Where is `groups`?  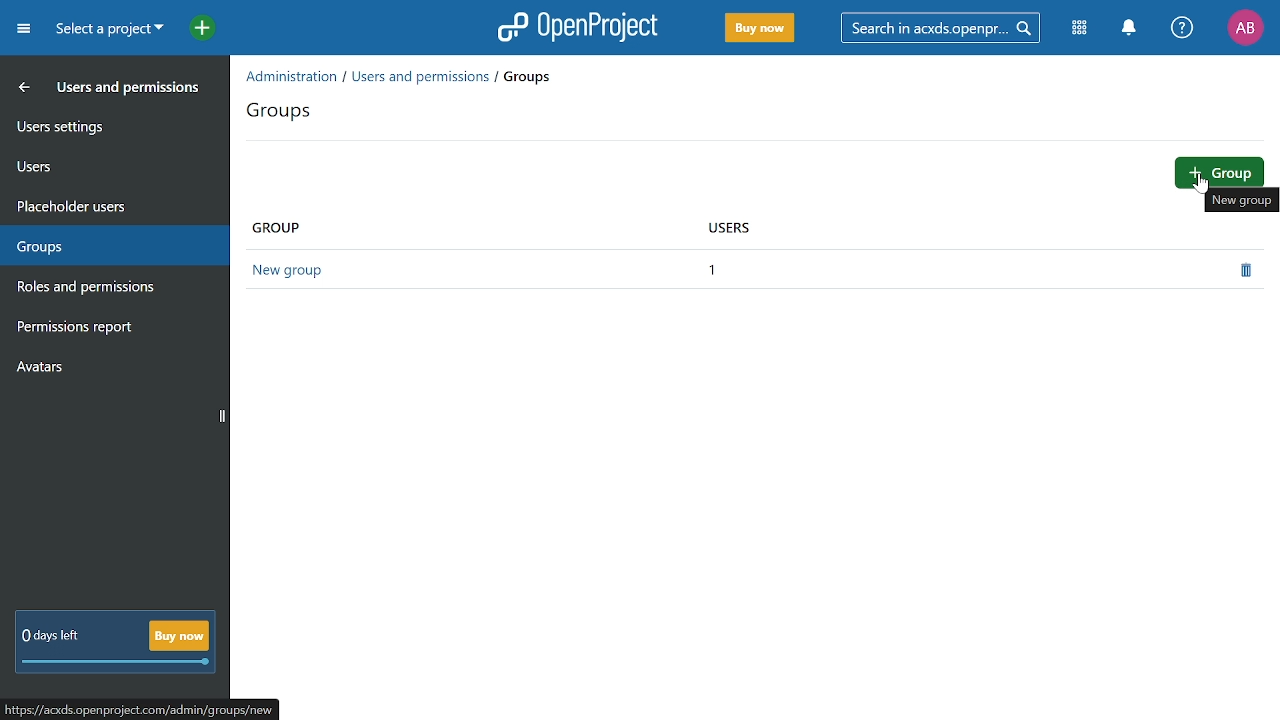 groups is located at coordinates (284, 113).